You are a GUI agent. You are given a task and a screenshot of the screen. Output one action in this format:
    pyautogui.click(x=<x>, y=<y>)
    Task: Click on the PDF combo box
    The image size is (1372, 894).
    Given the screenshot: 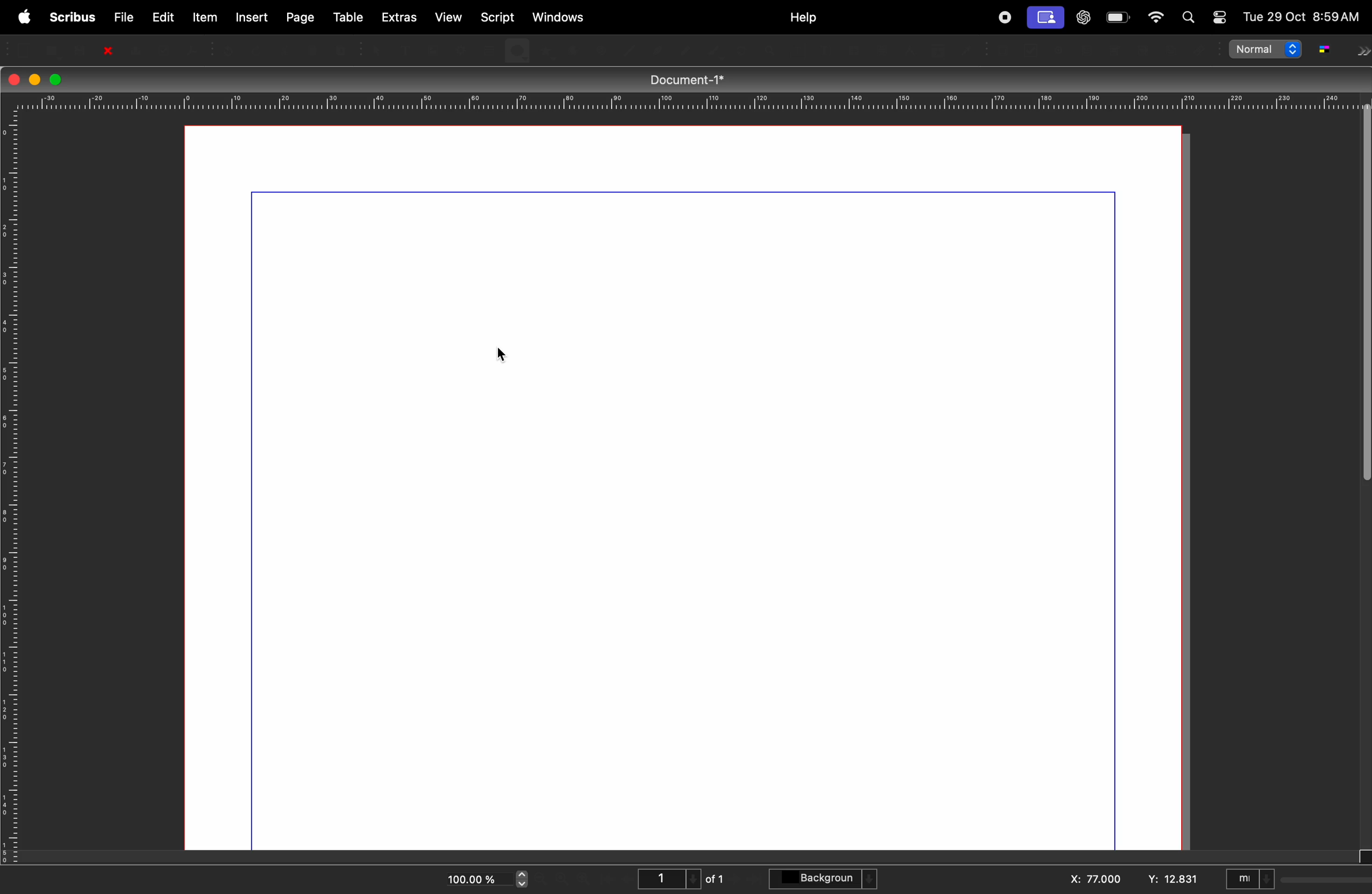 What is the action you would take?
    pyautogui.click(x=1117, y=50)
    